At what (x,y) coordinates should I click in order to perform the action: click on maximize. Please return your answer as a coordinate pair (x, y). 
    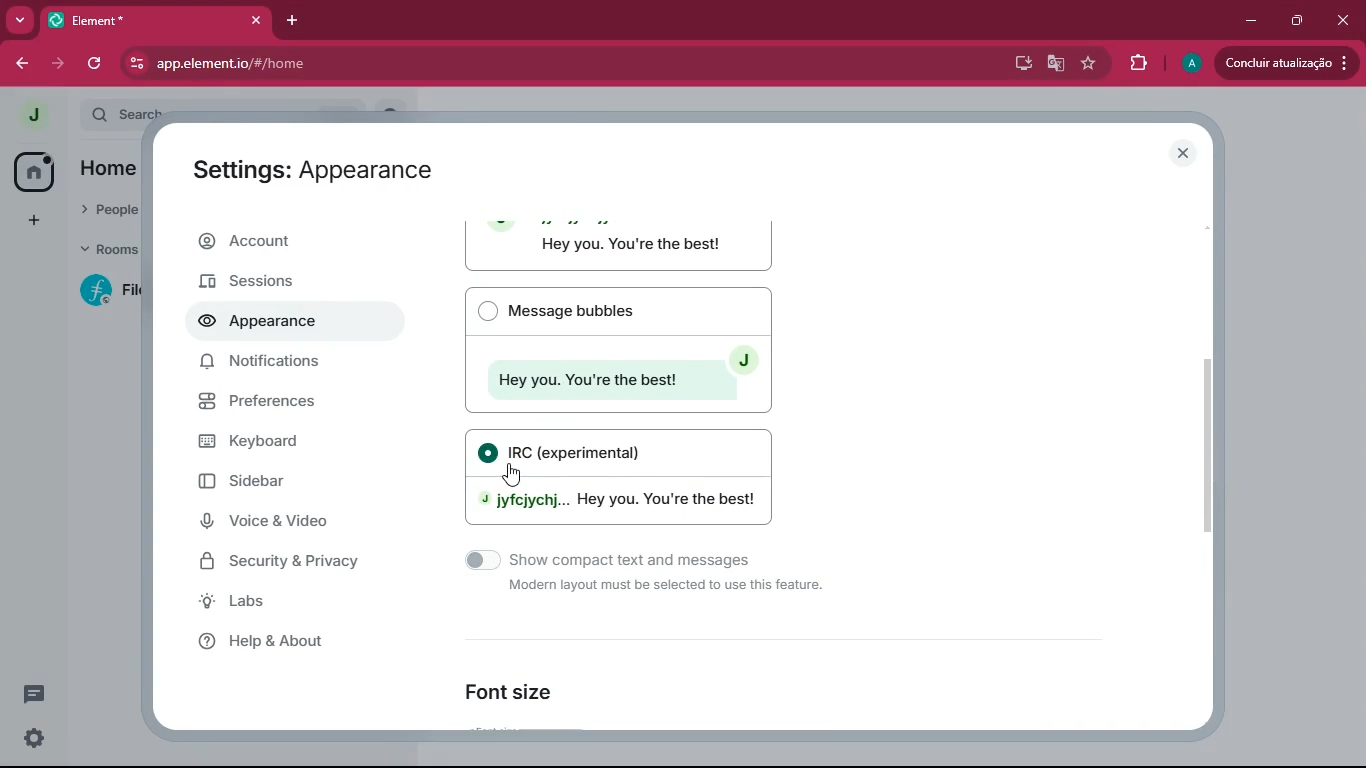
    Looking at the image, I should click on (1301, 19).